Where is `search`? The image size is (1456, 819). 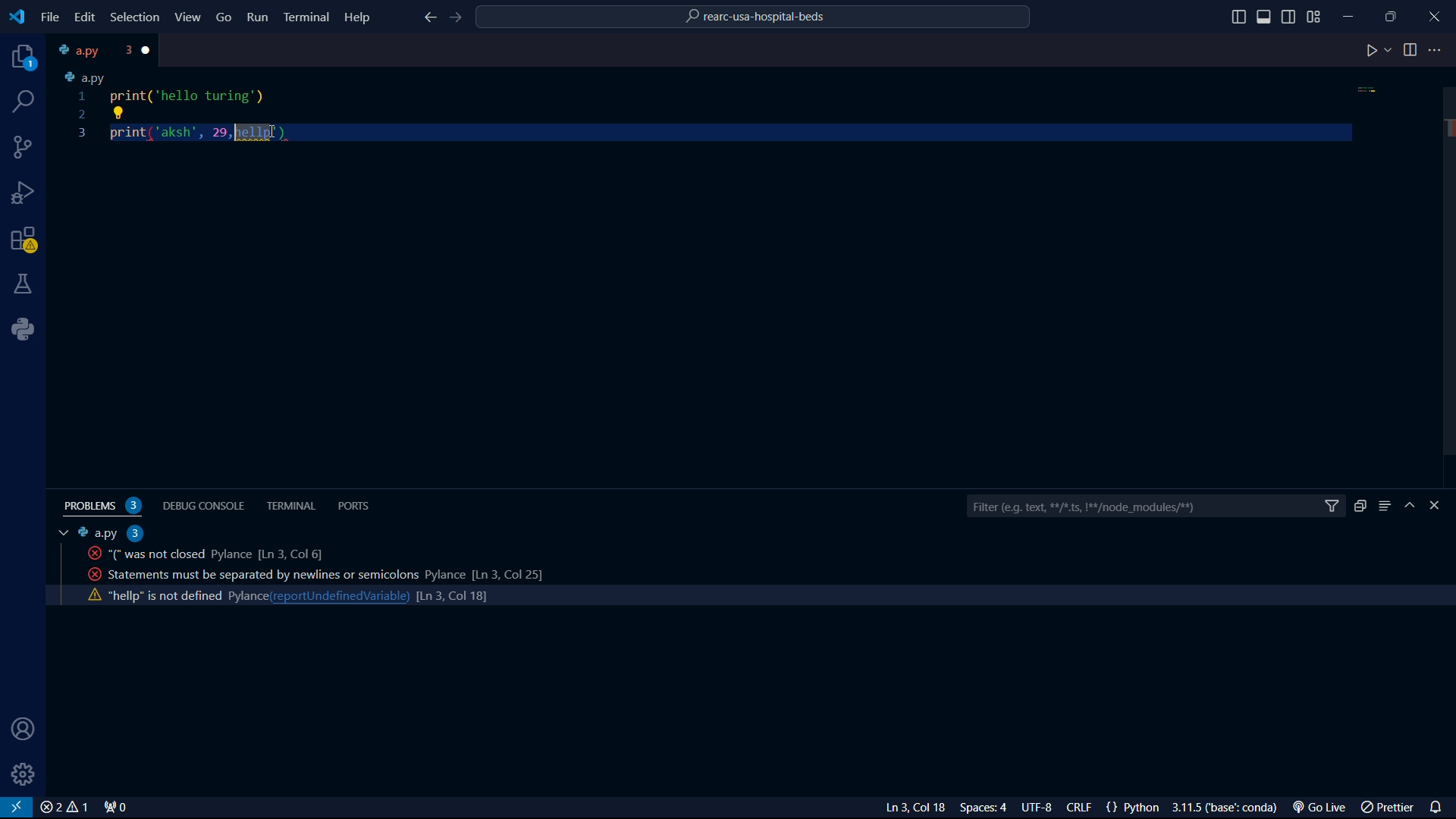 search is located at coordinates (25, 102).